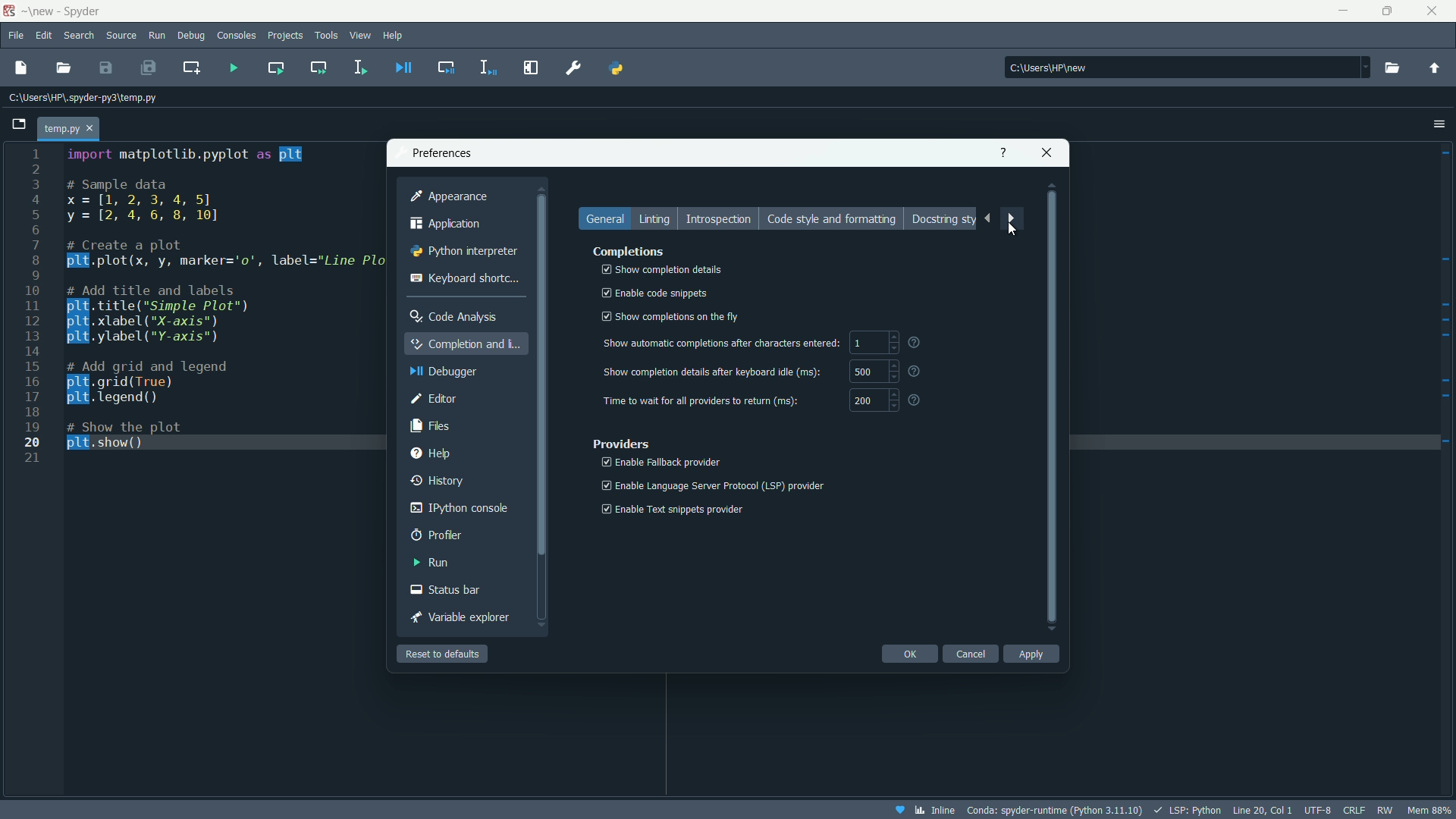 This screenshot has width=1456, height=819. What do you see at coordinates (436, 535) in the screenshot?
I see `profiler` at bounding box center [436, 535].